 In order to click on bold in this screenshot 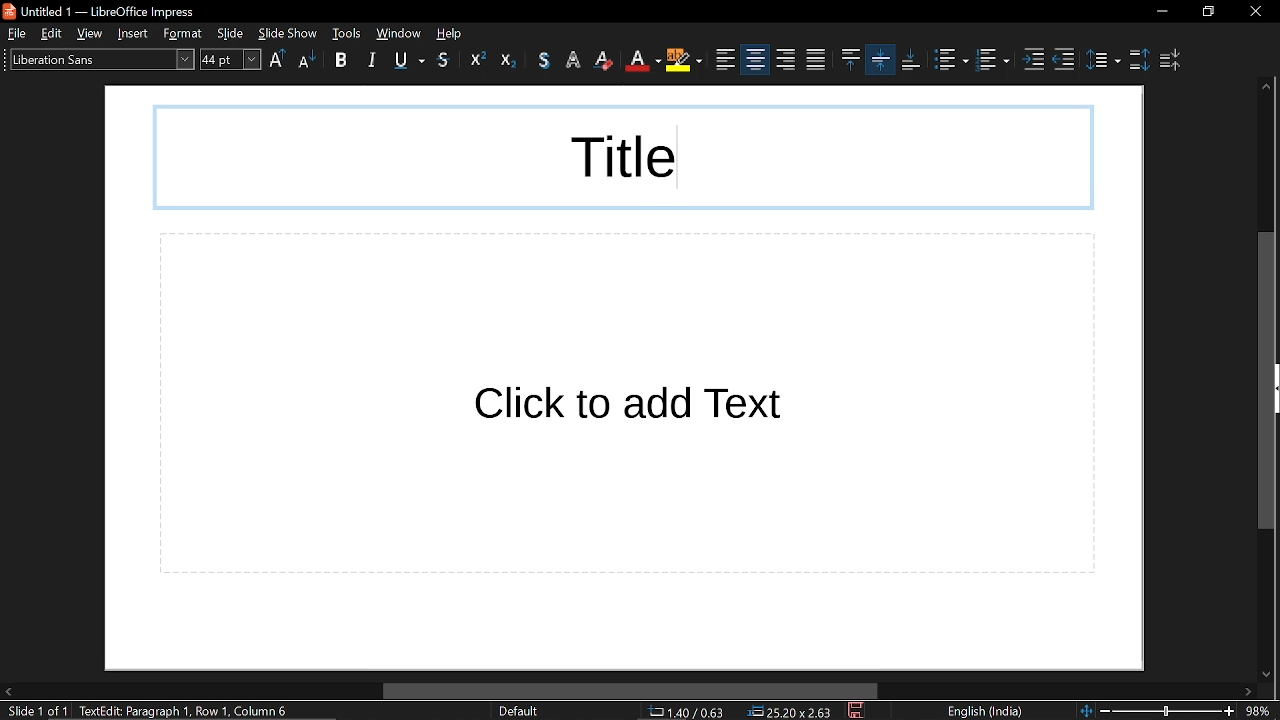, I will do `click(341, 62)`.